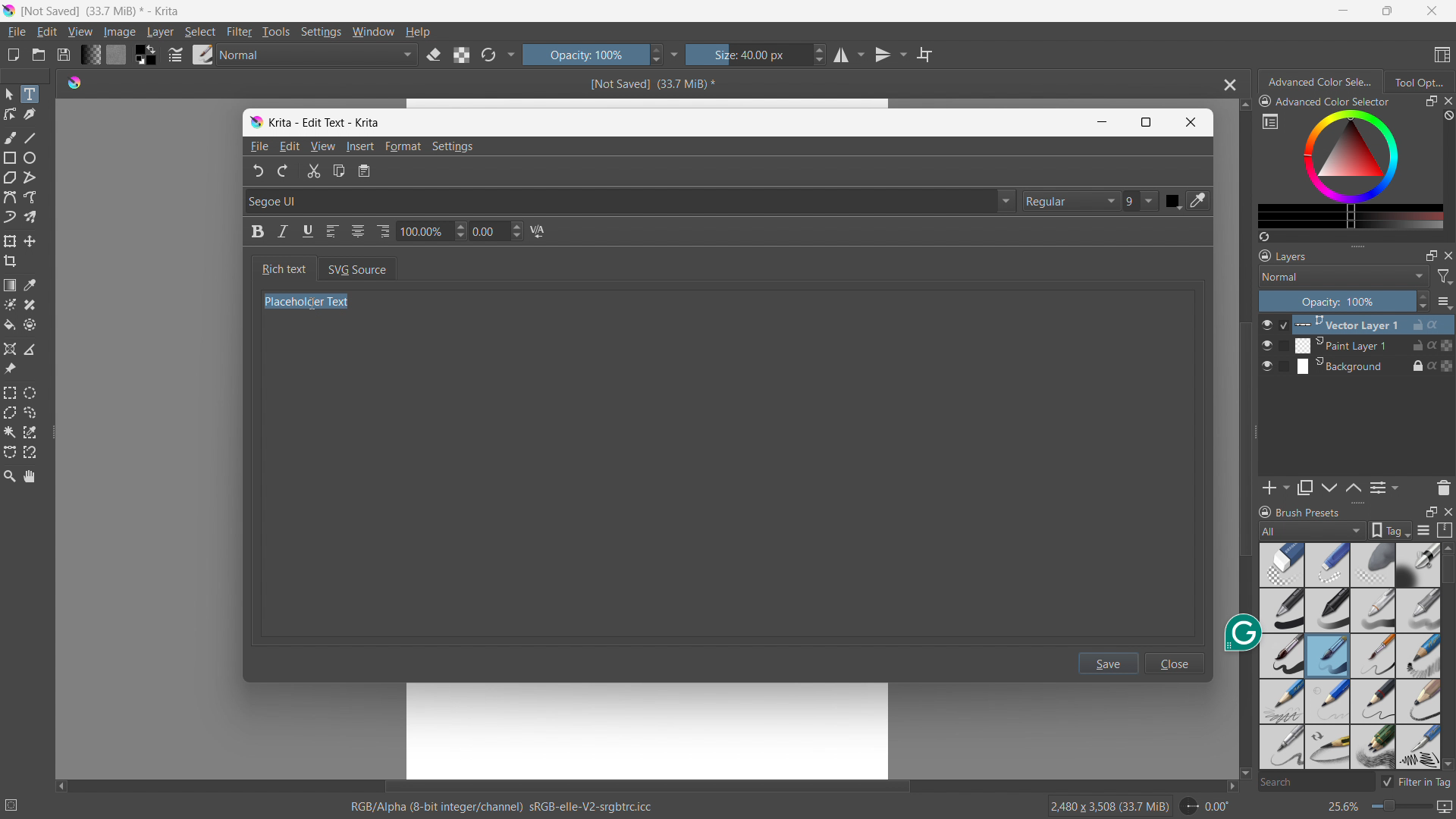 Image resolution: width=1456 pixels, height=819 pixels. What do you see at coordinates (630, 199) in the screenshot?
I see `select font family` at bounding box center [630, 199].